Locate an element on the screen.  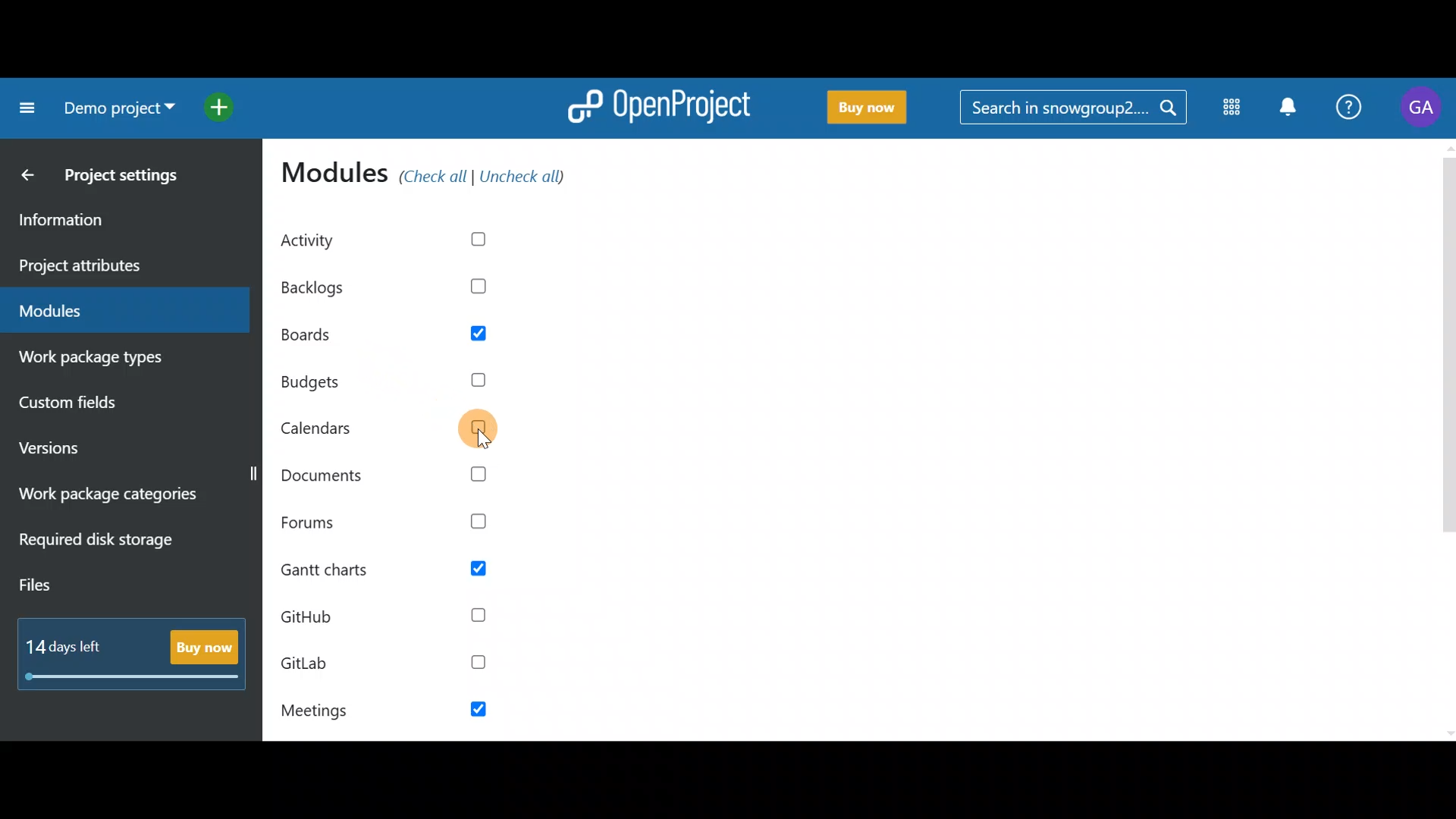
Information is located at coordinates (113, 222).